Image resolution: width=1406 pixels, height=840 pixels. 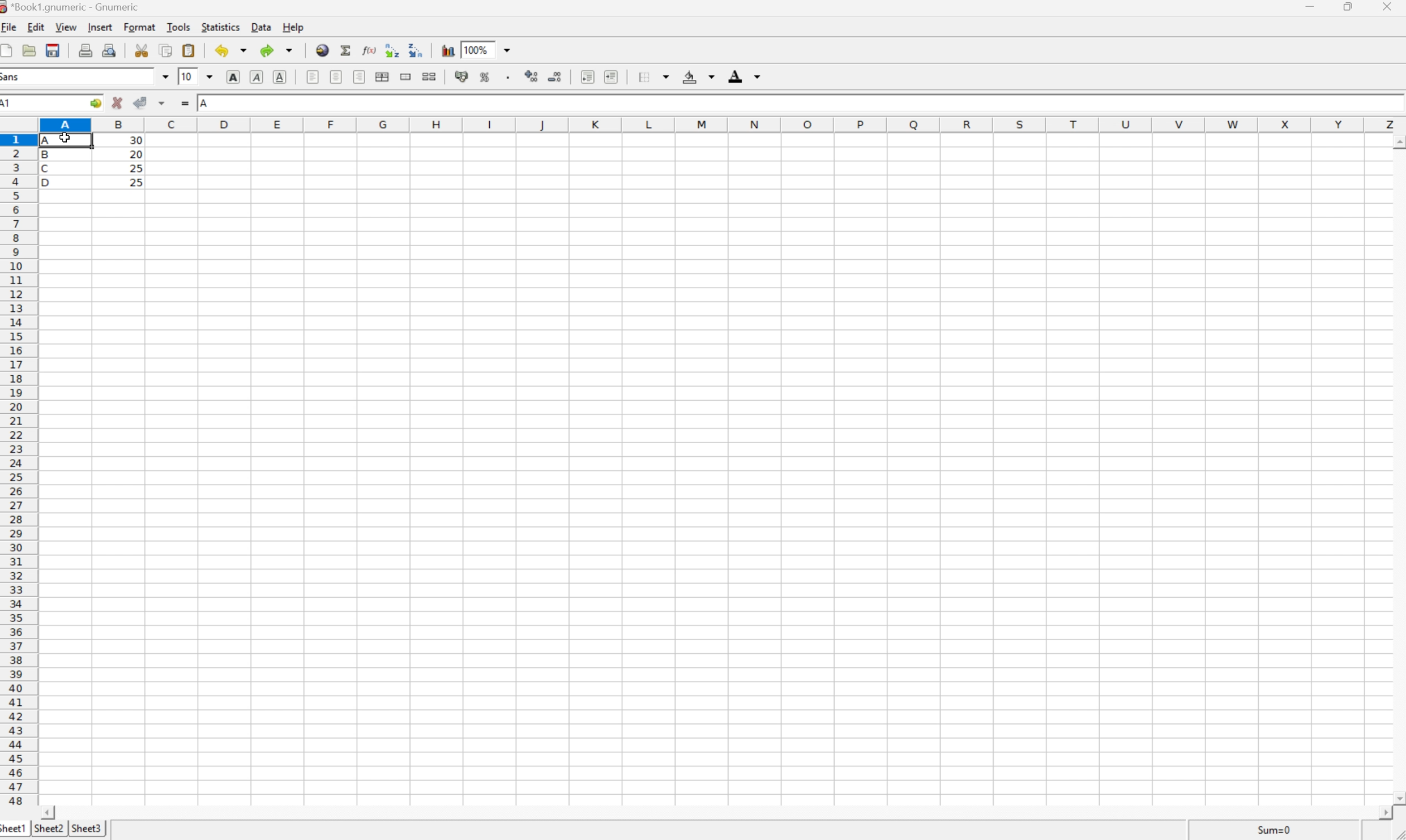 What do you see at coordinates (13, 104) in the screenshot?
I see `A1` at bounding box center [13, 104].